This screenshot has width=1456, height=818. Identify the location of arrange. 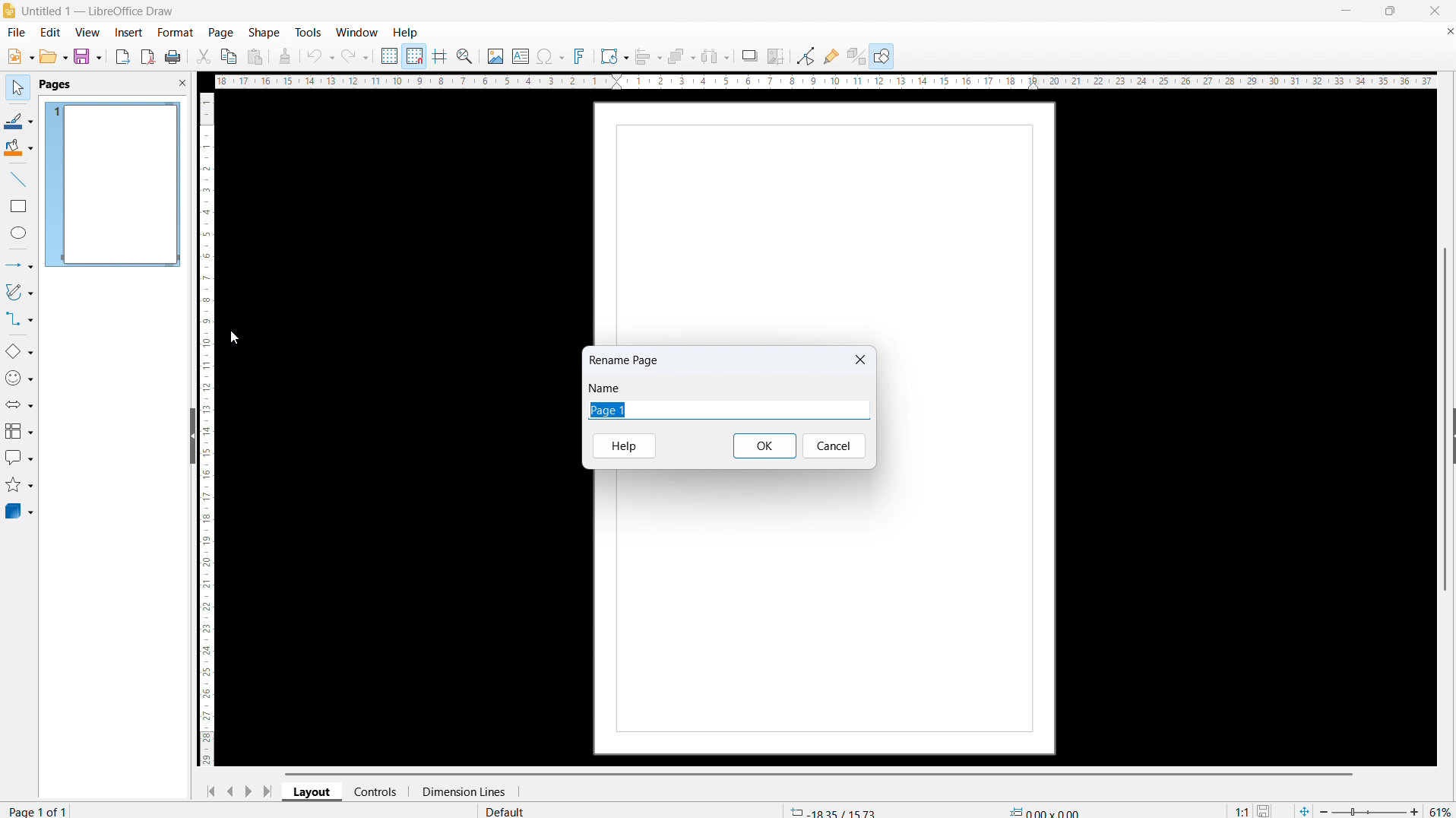
(680, 56).